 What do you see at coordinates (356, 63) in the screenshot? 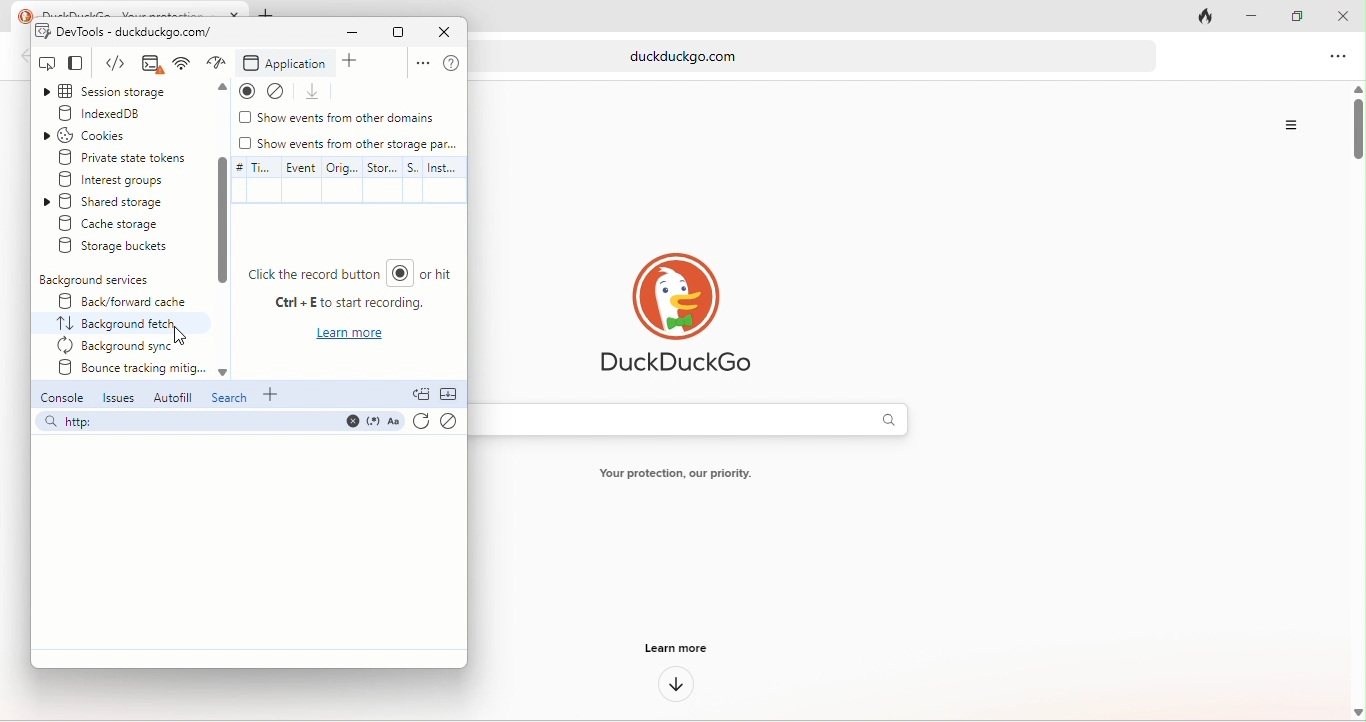
I see `add` at bounding box center [356, 63].